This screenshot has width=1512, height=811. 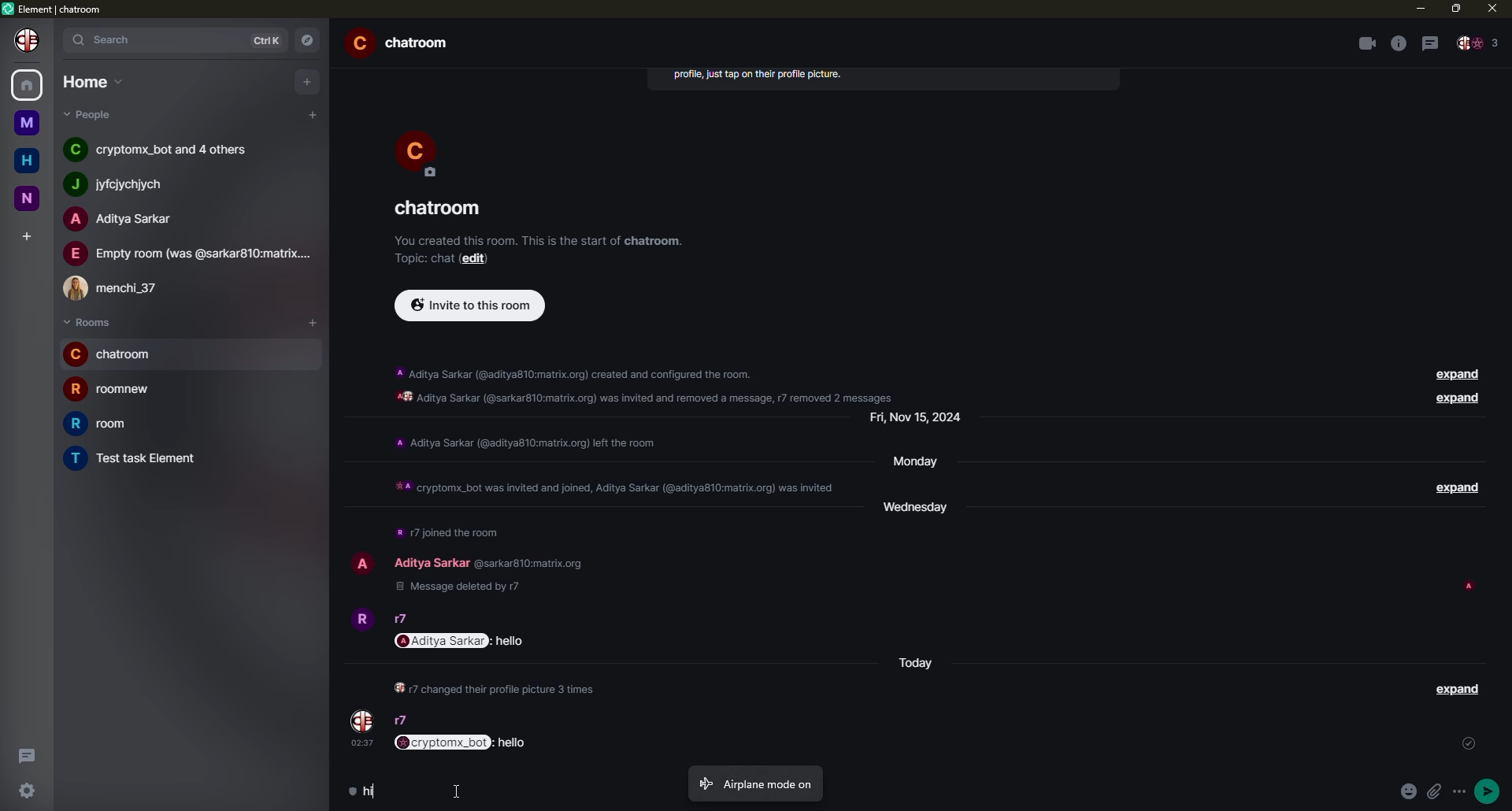 What do you see at coordinates (27, 159) in the screenshot?
I see `home` at bounding box center [27, 159].